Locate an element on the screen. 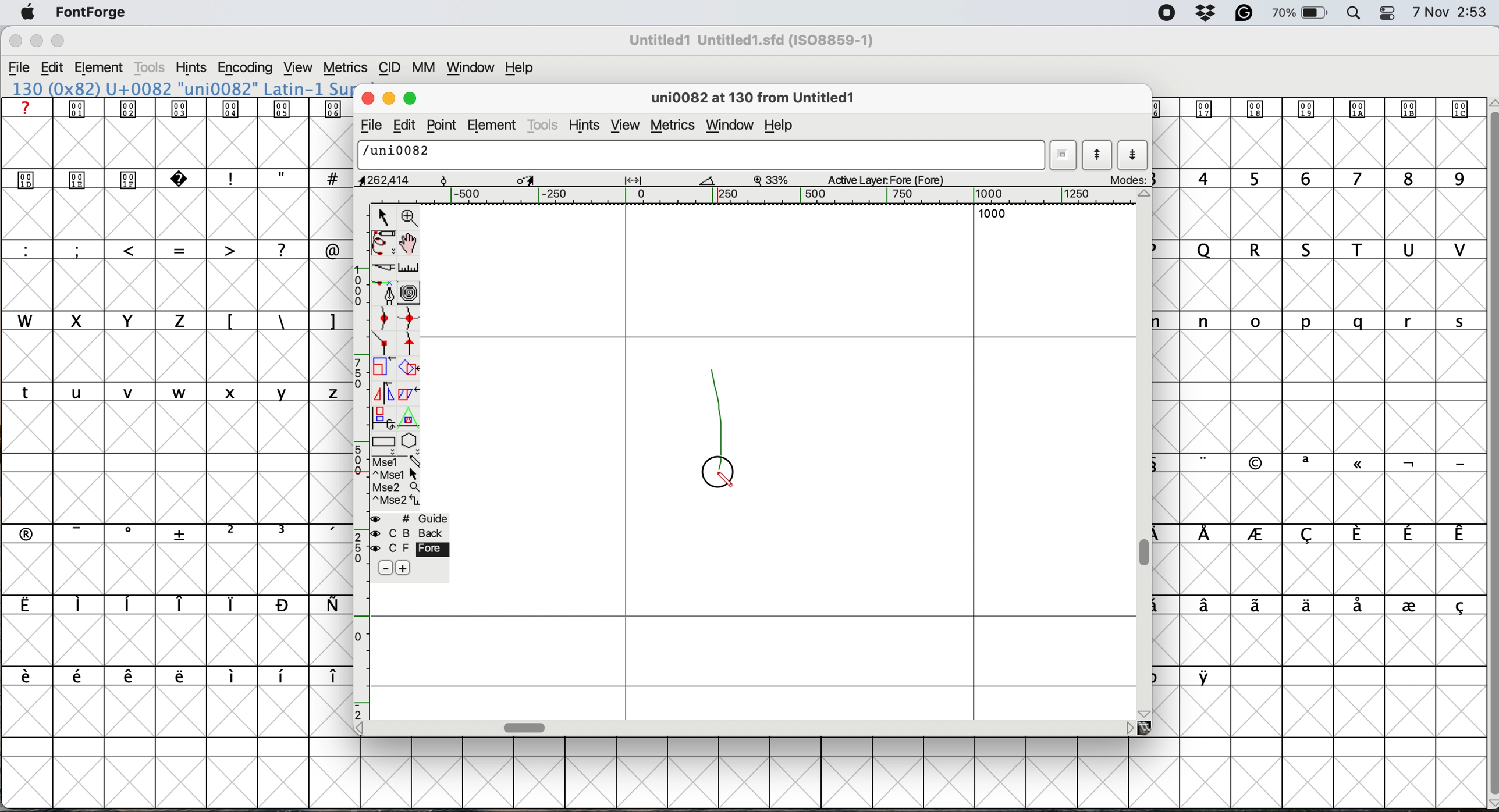 The height and width of the screenshot is (812, 1499). active layers is located at coordinates (887, 181).